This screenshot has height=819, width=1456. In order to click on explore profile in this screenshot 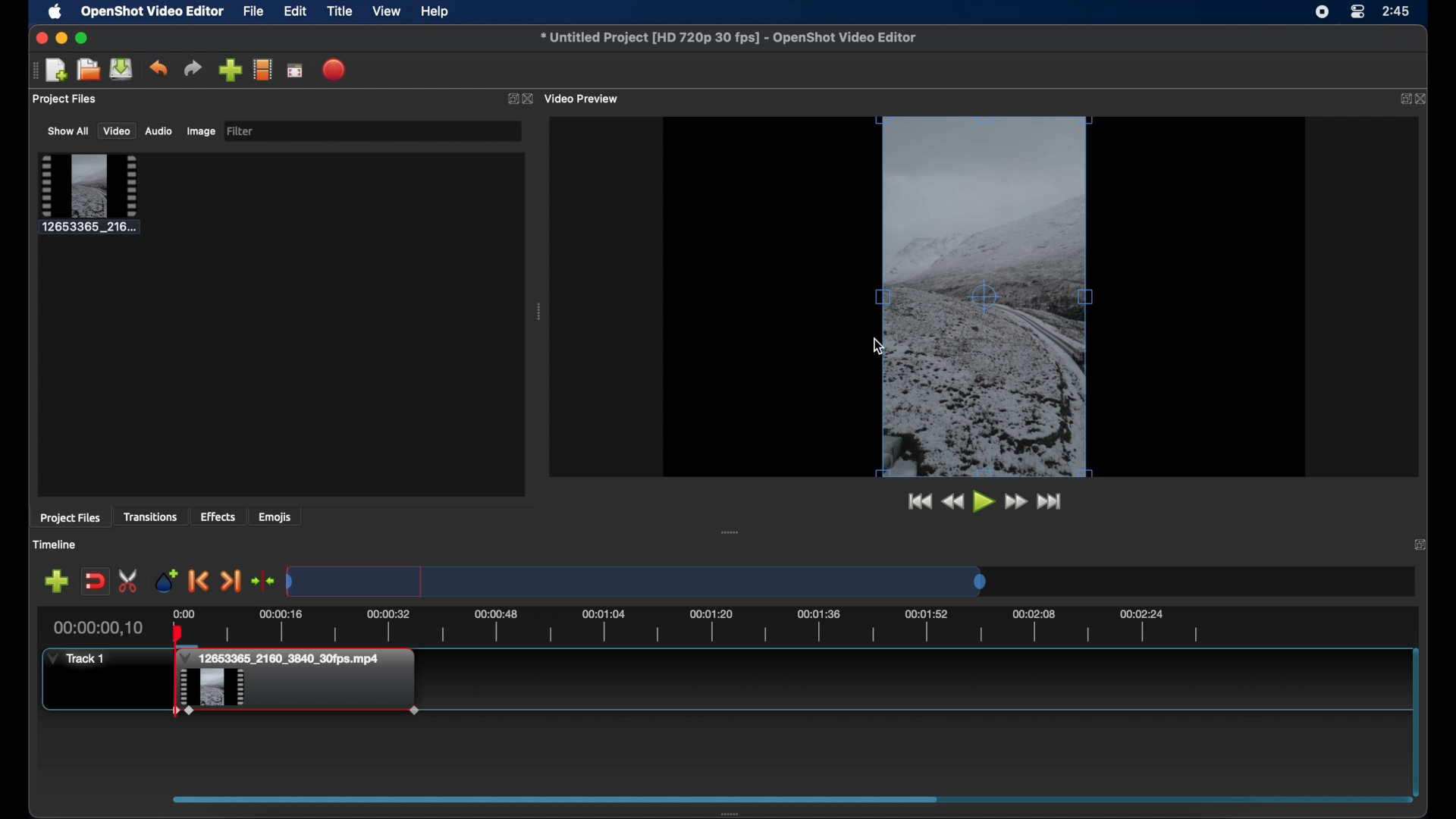, I will do `click(263, 70)`.